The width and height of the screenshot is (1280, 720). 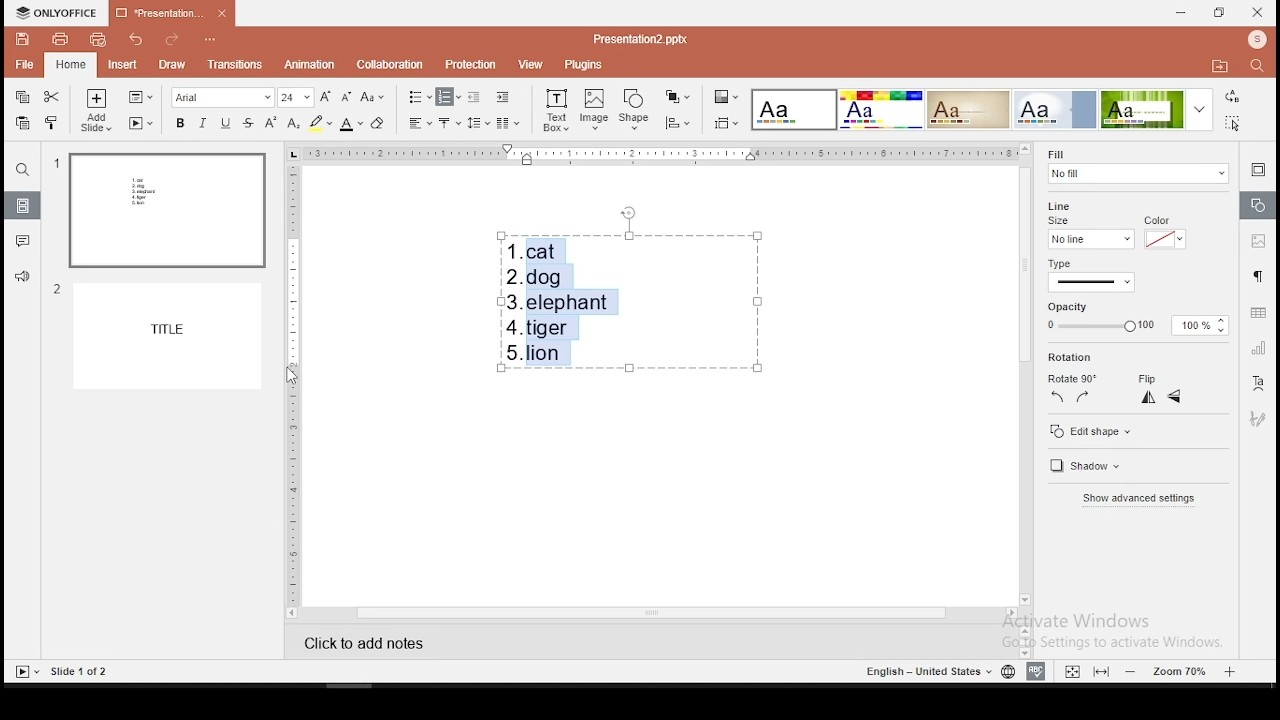 What do you see at coordinates (266, 122) in the screenshot?
I see `superscript` at bounding box center [266, 122].